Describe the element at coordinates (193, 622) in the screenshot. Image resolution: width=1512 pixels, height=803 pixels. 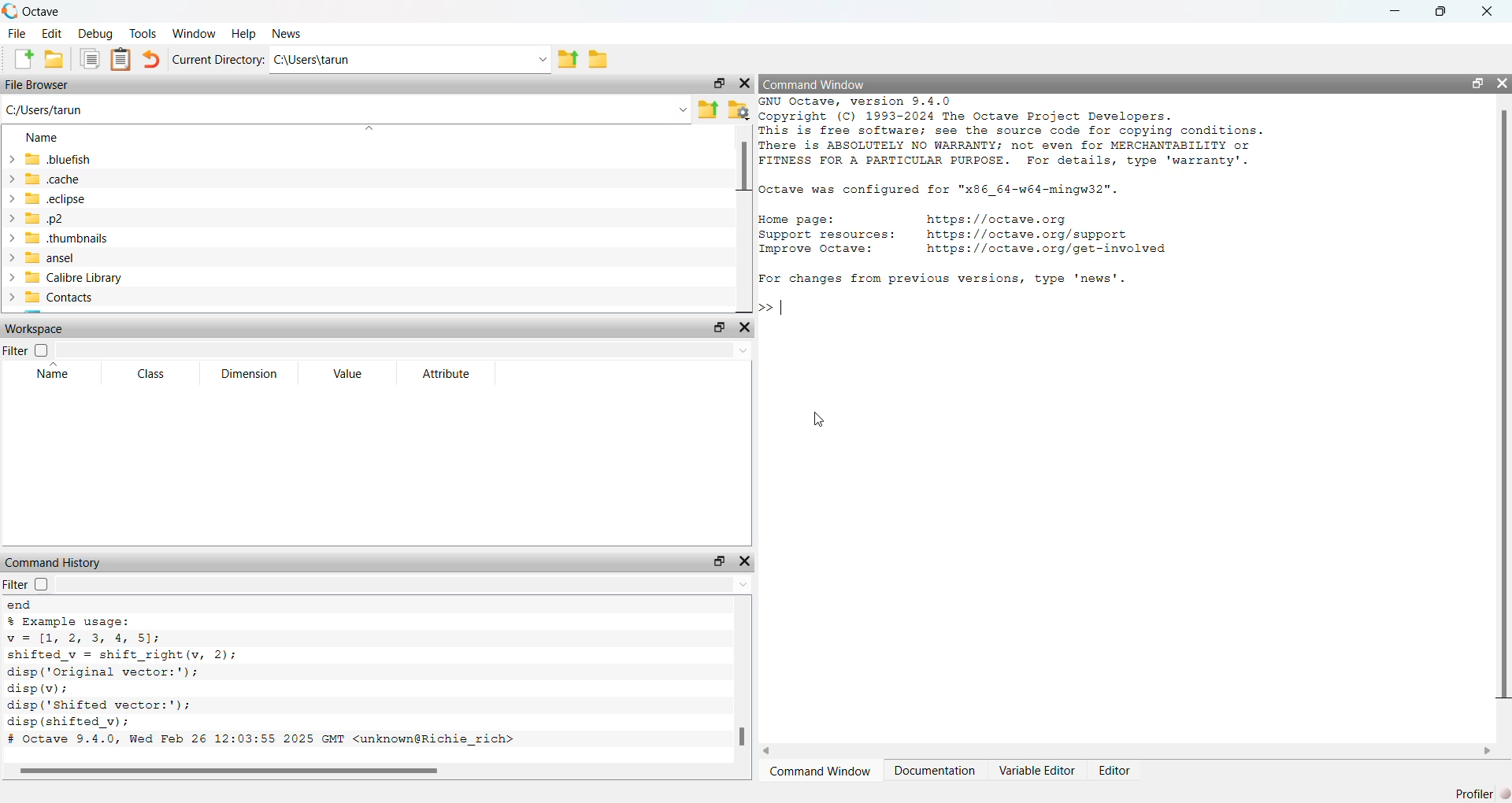
I see `% Example usage` at that location.